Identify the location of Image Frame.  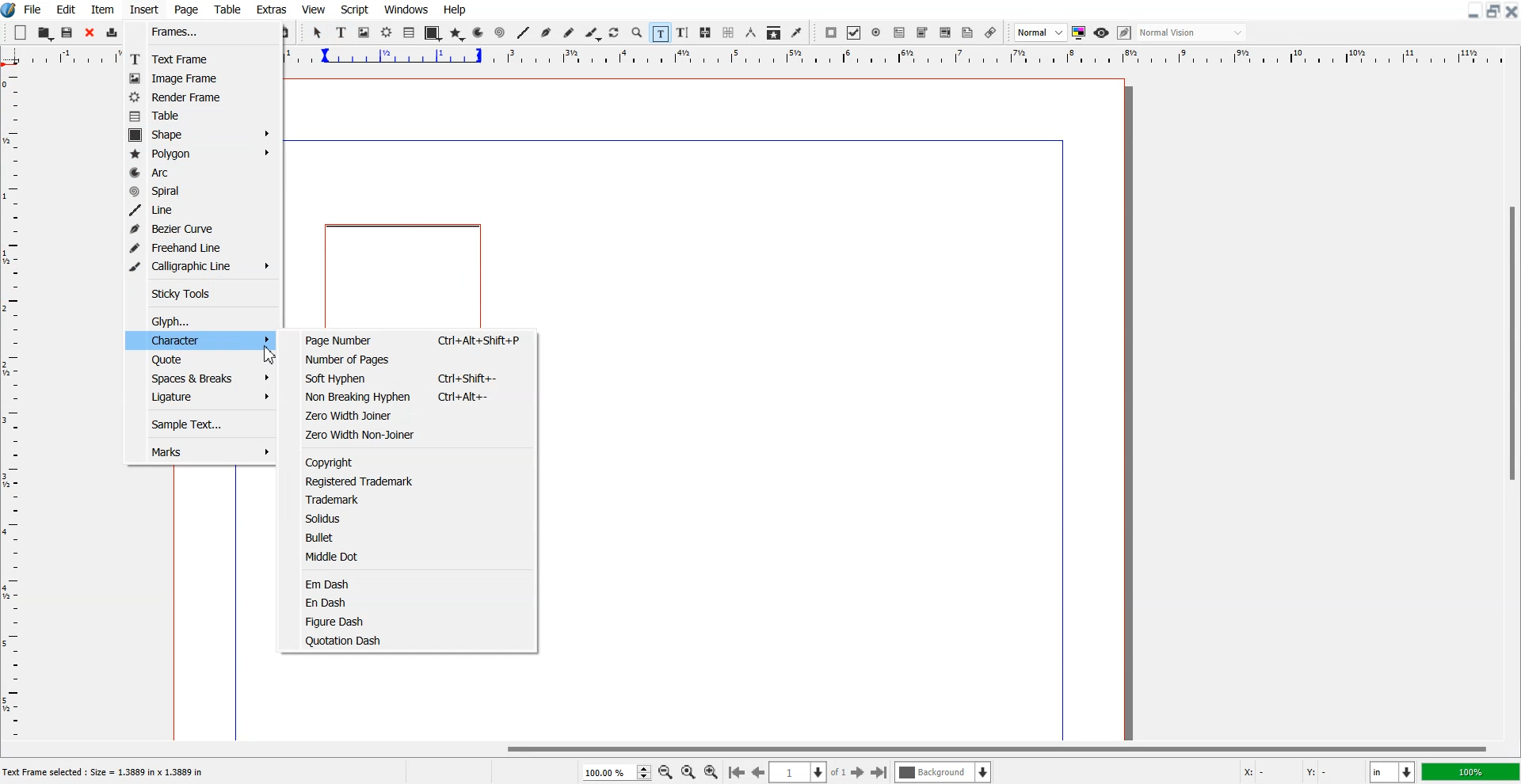
(364, 32).